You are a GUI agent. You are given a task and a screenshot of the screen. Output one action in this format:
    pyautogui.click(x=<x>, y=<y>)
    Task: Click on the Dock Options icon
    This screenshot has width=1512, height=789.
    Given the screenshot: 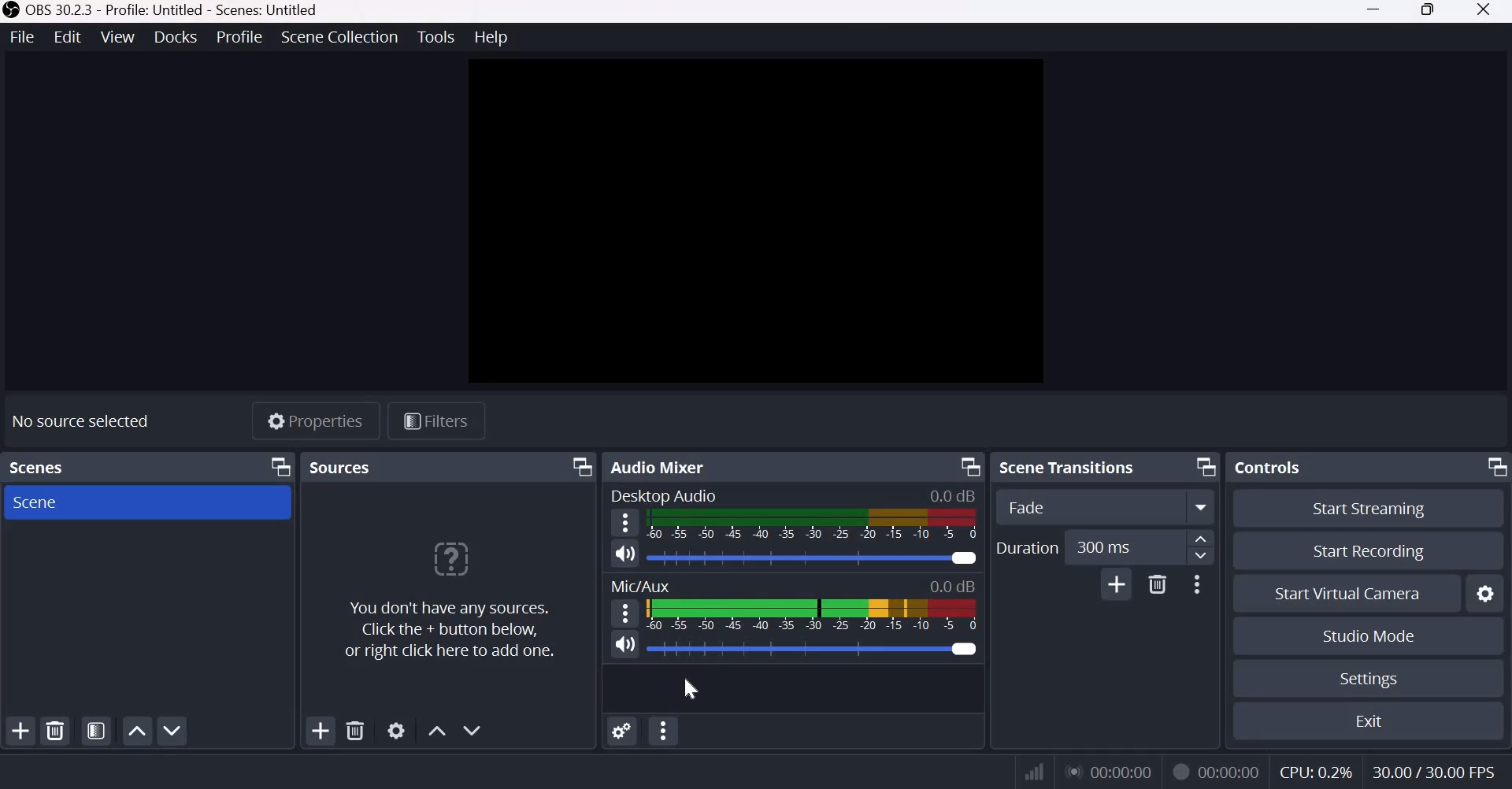 What is the action you would take?
    pyautogui.click(x=278, y=465)
    